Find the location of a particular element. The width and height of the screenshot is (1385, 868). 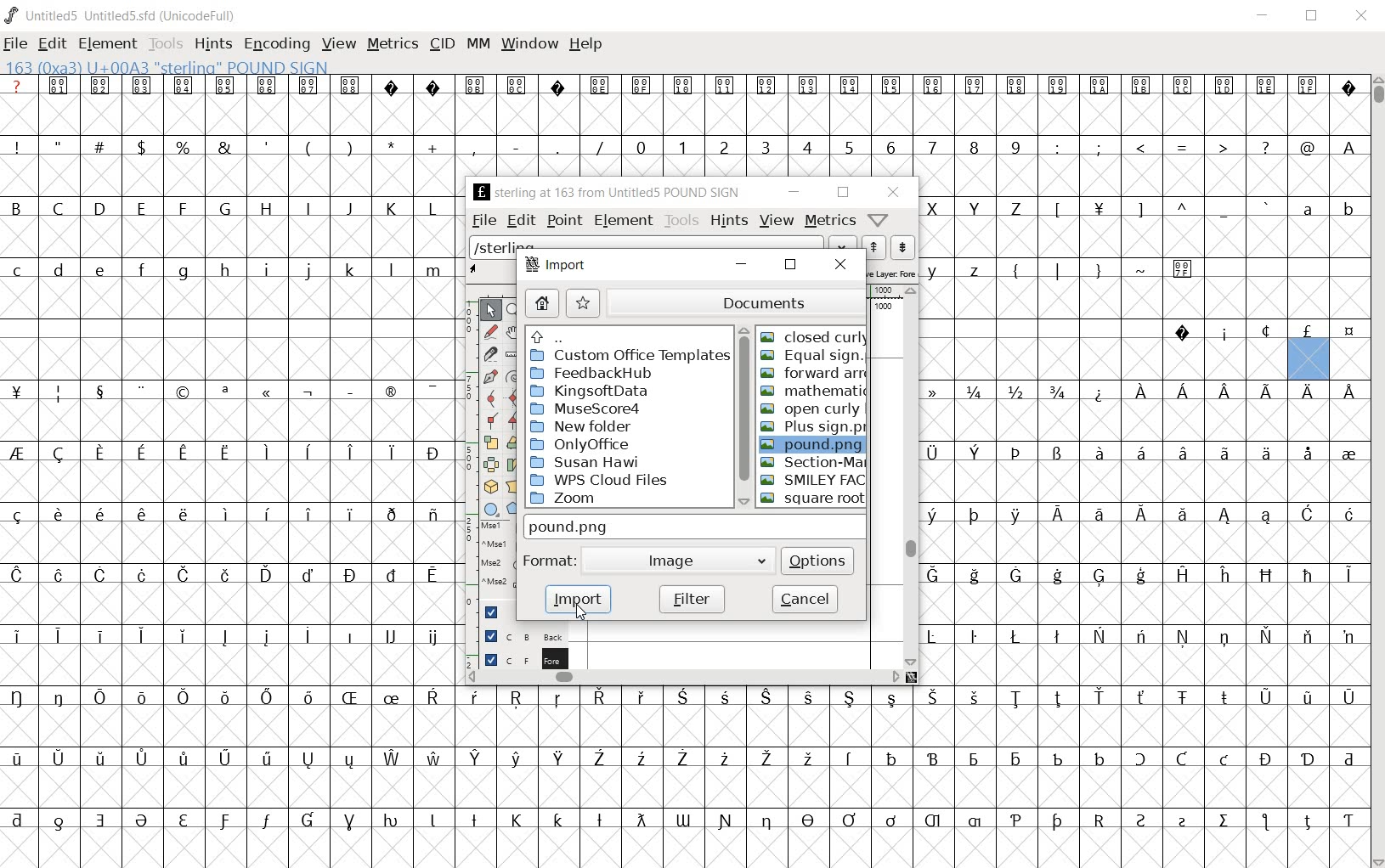

I is located at coordinates (308, 209).